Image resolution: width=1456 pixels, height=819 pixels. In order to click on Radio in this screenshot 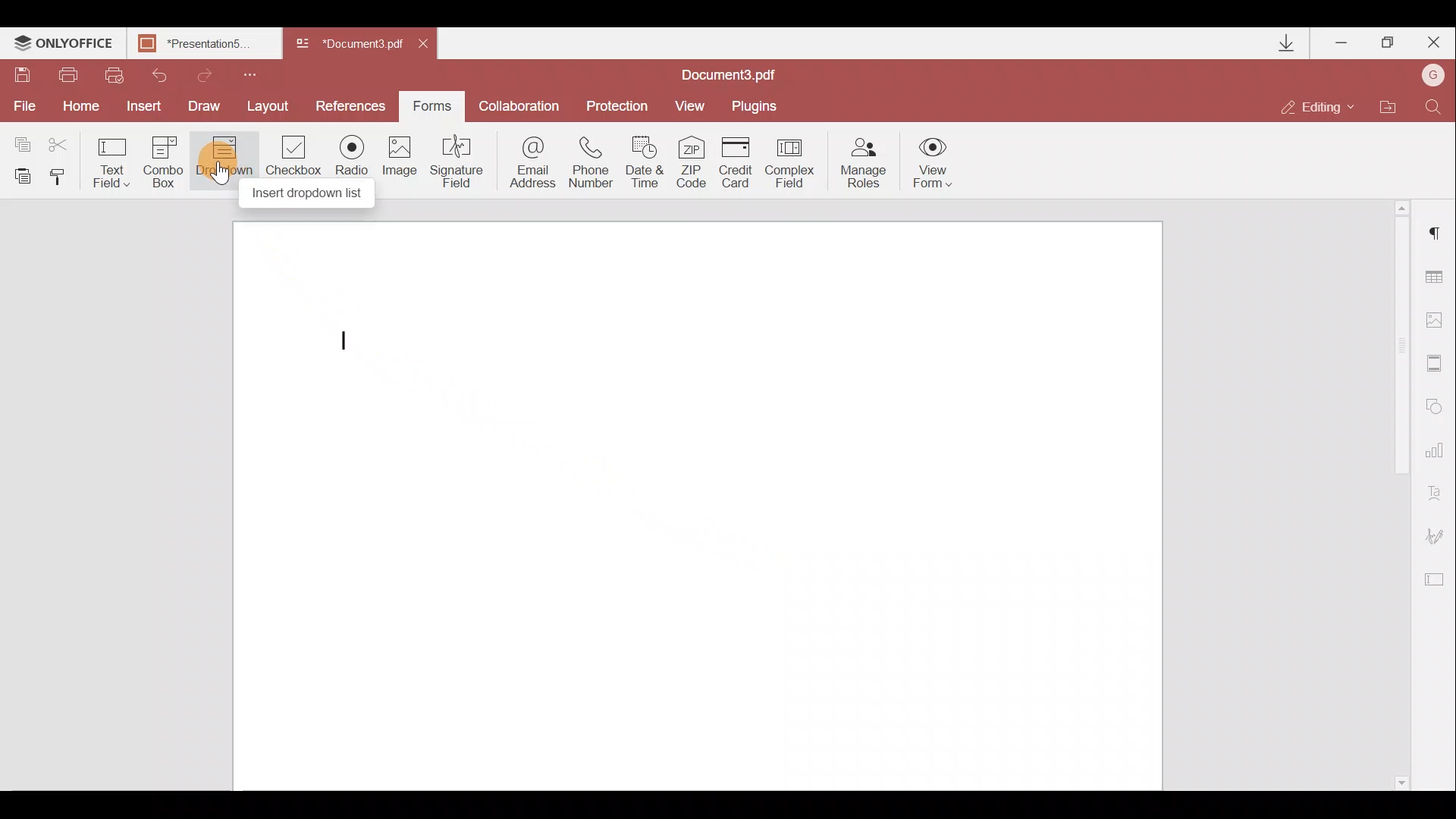, I will do `click(354, 158)`.